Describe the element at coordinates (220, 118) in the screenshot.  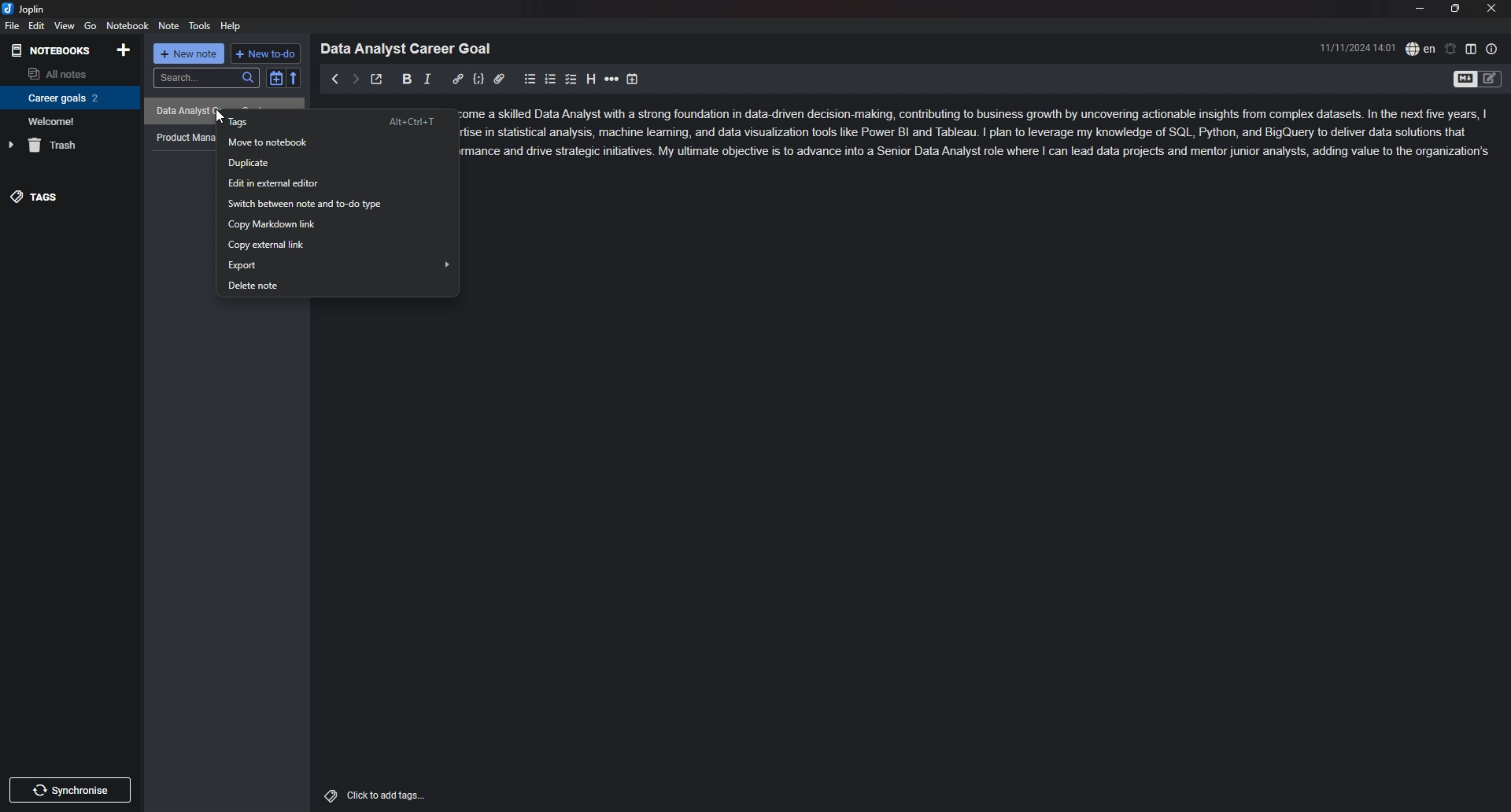
I see `Cursor` at that location.